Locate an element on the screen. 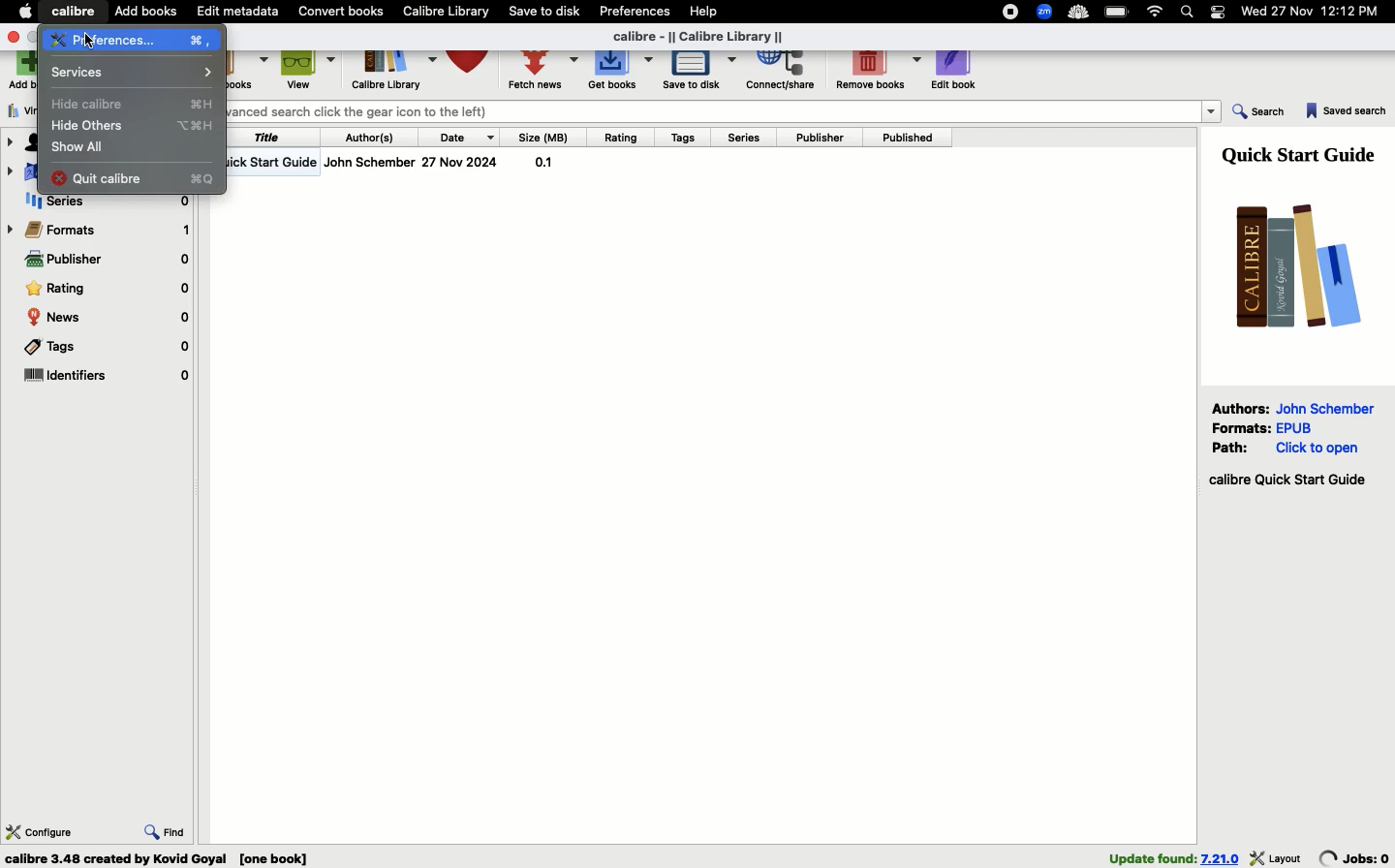 The image size is (1395, 868). Preferences is located at coordinates (128, 38).